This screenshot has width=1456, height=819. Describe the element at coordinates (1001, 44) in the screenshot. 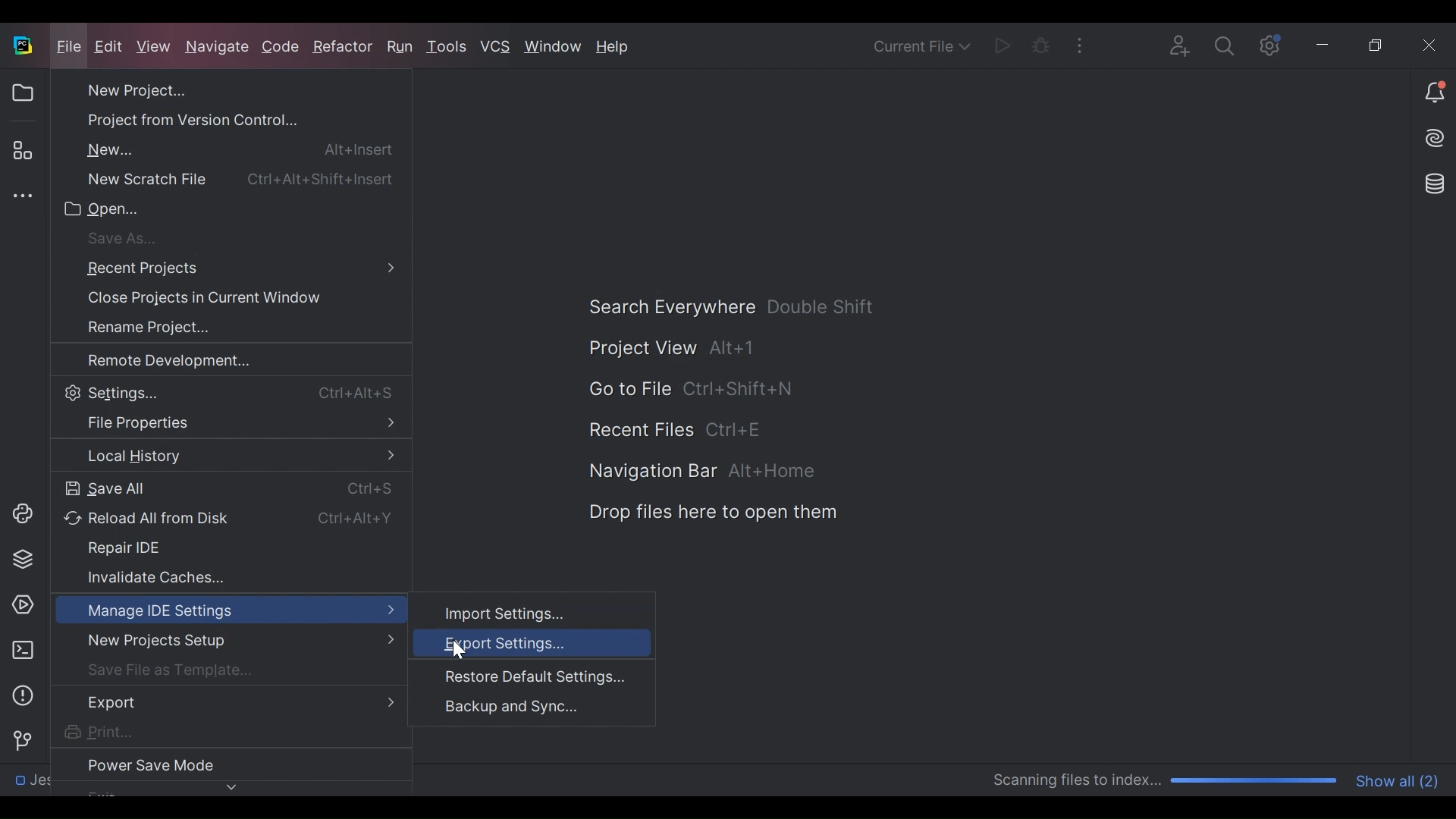

I see `Run` at that location.